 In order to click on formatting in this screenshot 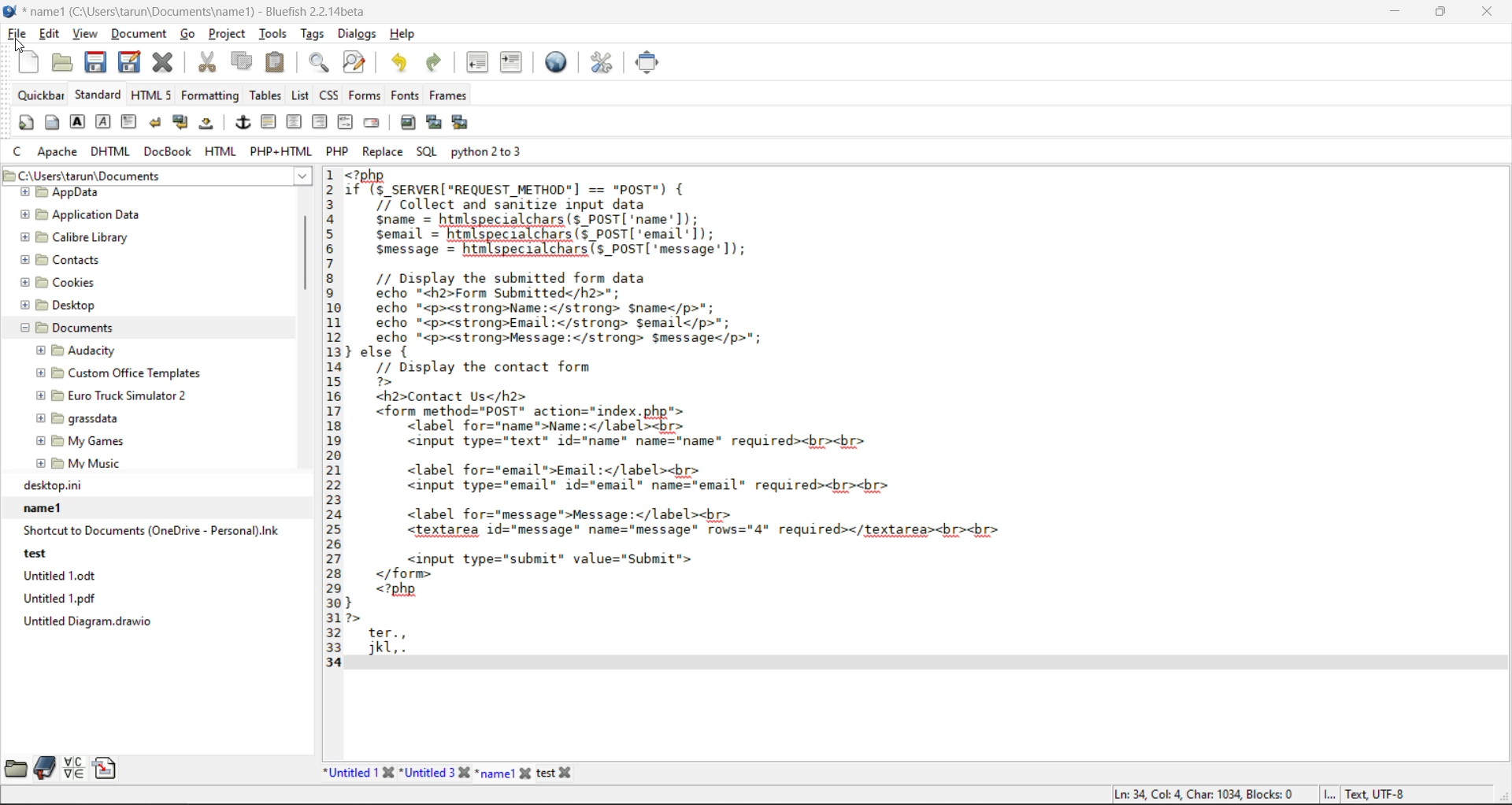, I will do `click(210, 99)`.